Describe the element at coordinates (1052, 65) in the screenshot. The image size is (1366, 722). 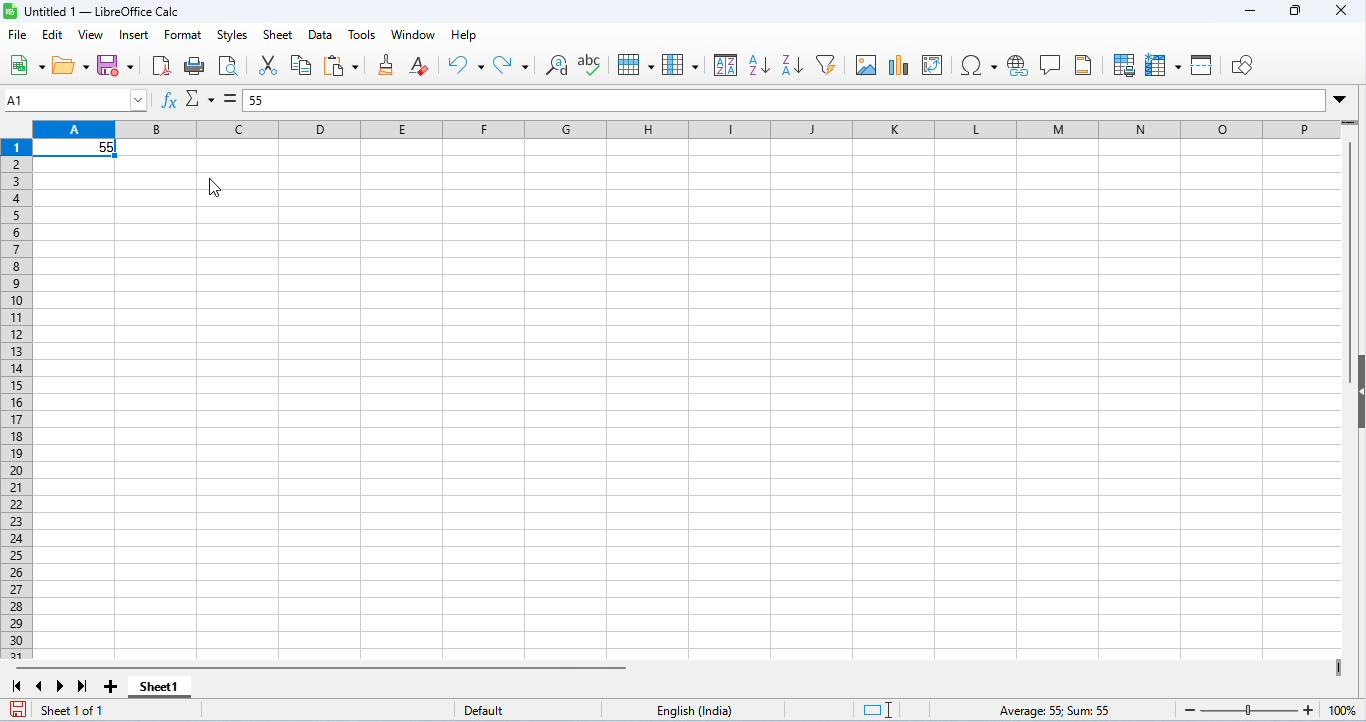
I see `insert comment` at that location.